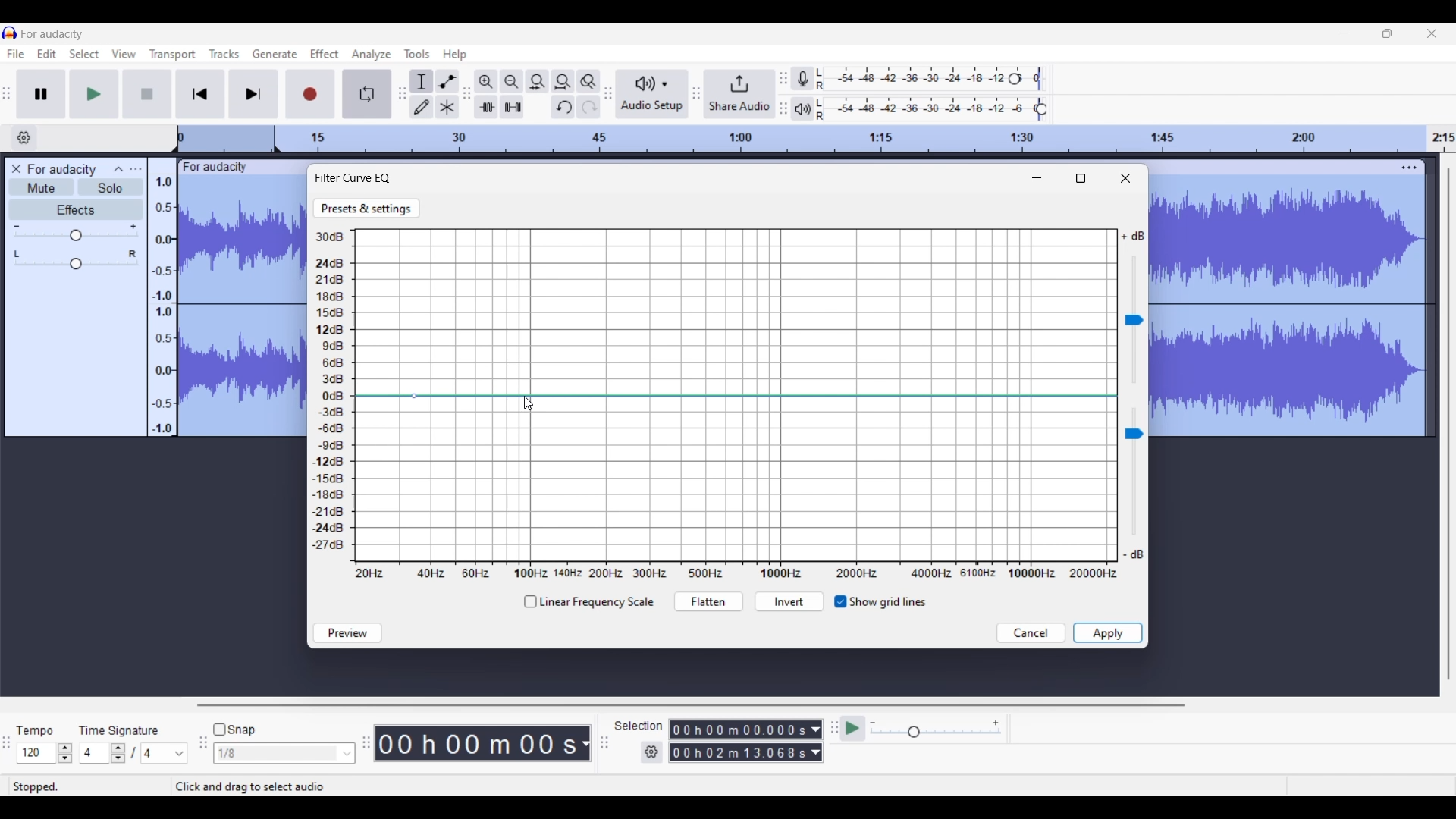 The width and height of the screenshot is (1456, 819). I want to click on Draw tool, so click(422, 107).